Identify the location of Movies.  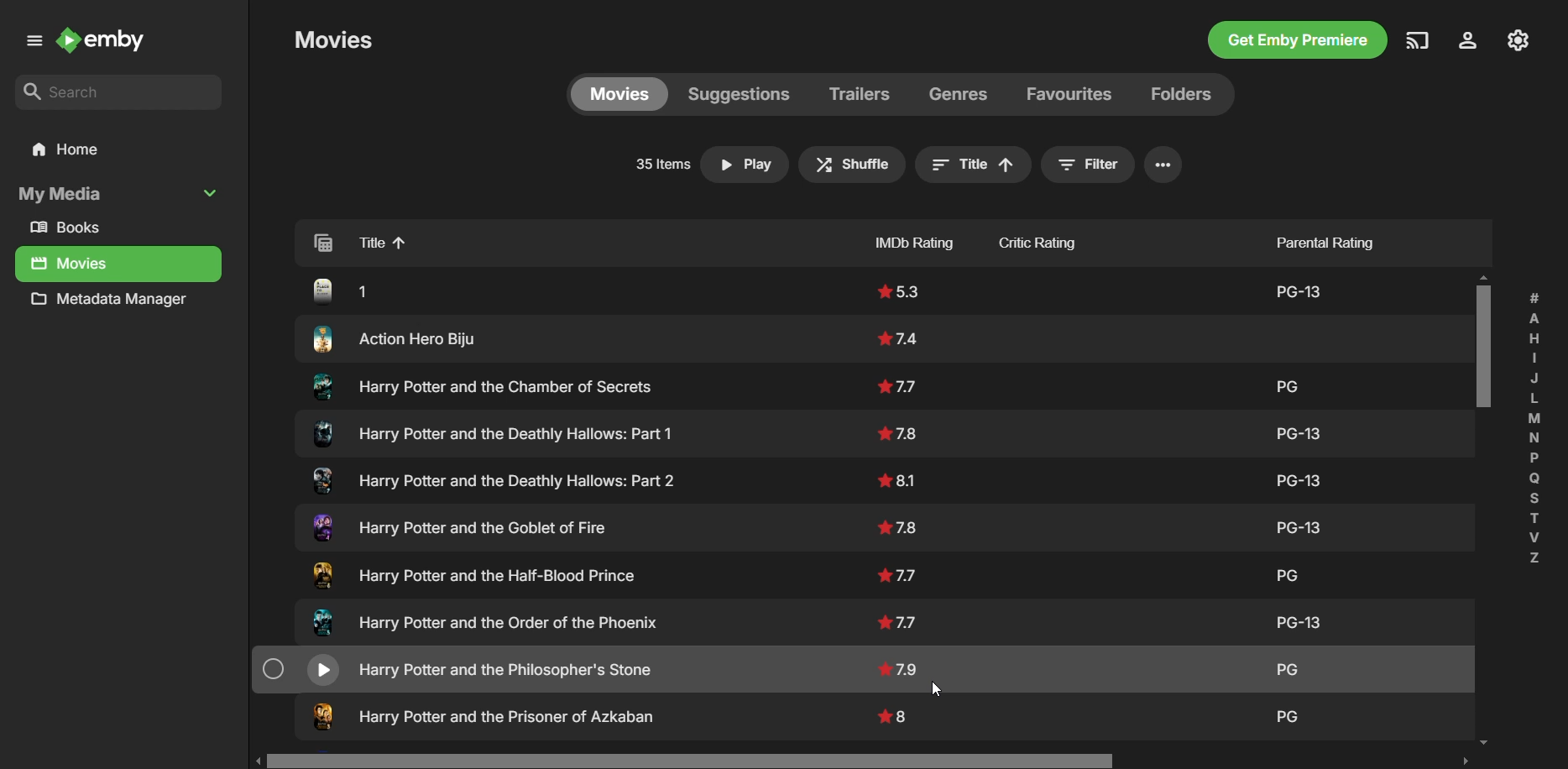
(71, 264).